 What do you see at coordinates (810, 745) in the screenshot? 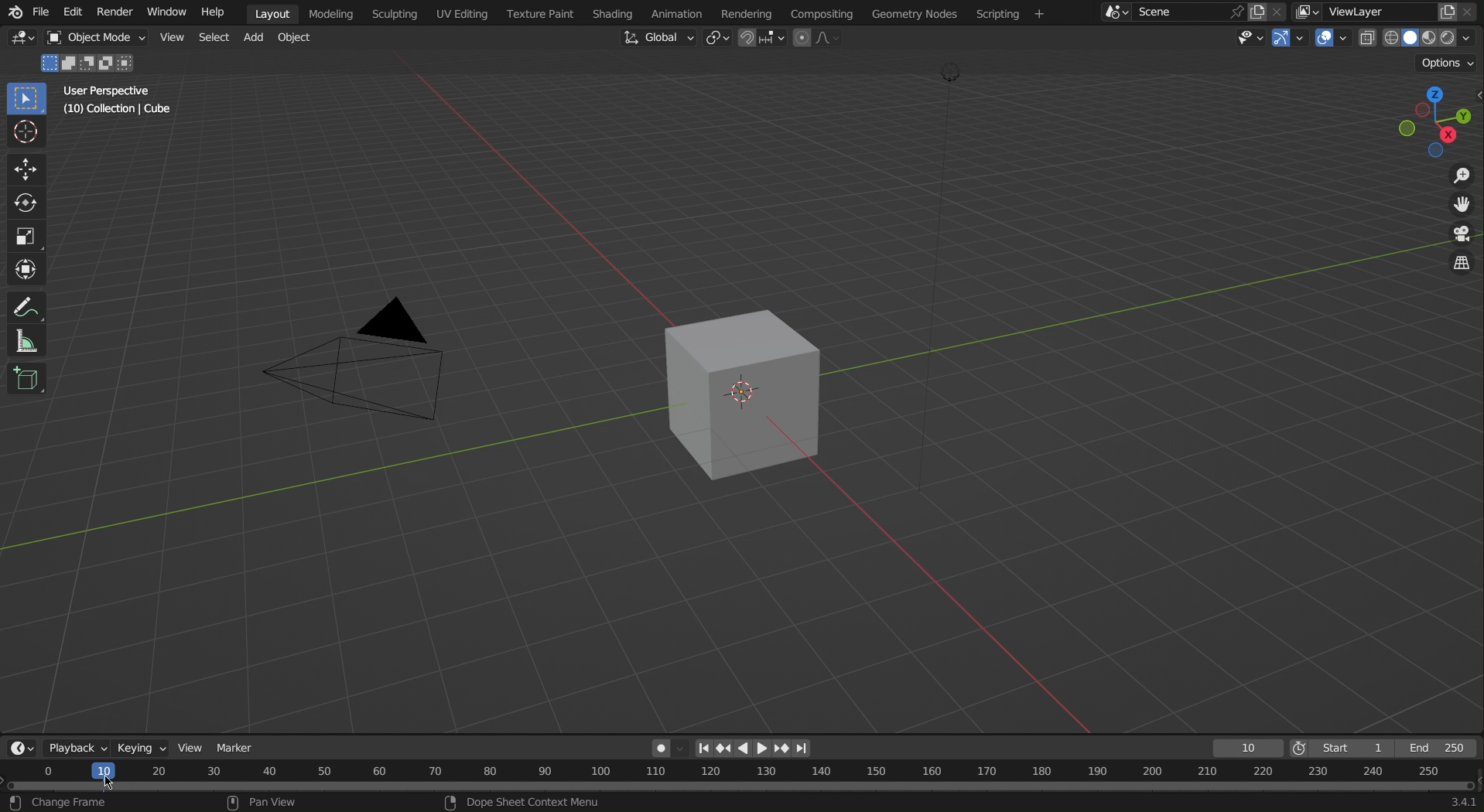
I see `Last page` at bounding box center [810, 745].